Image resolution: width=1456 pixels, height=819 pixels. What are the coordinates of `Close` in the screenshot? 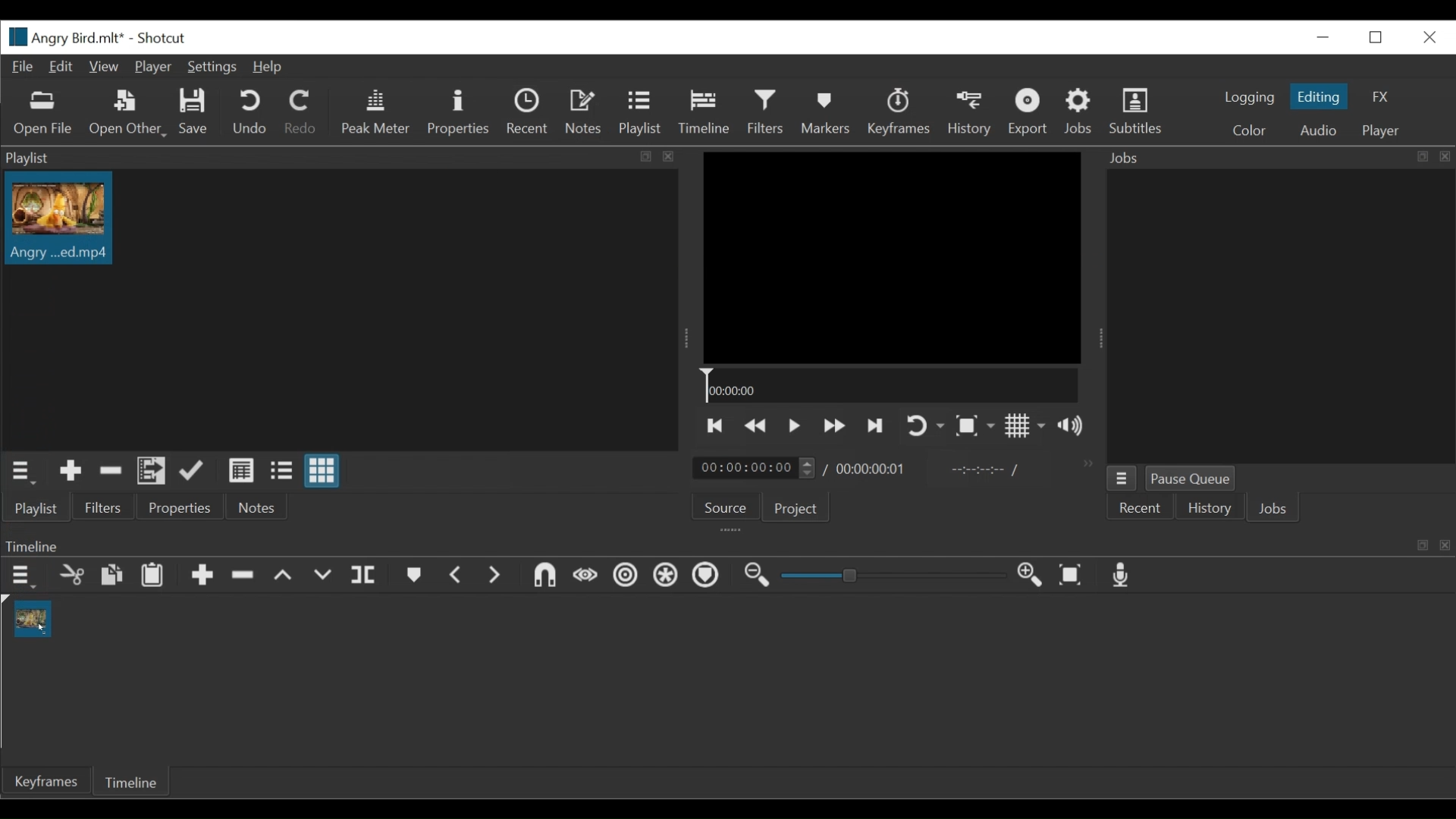 It's located at (1326, 36).